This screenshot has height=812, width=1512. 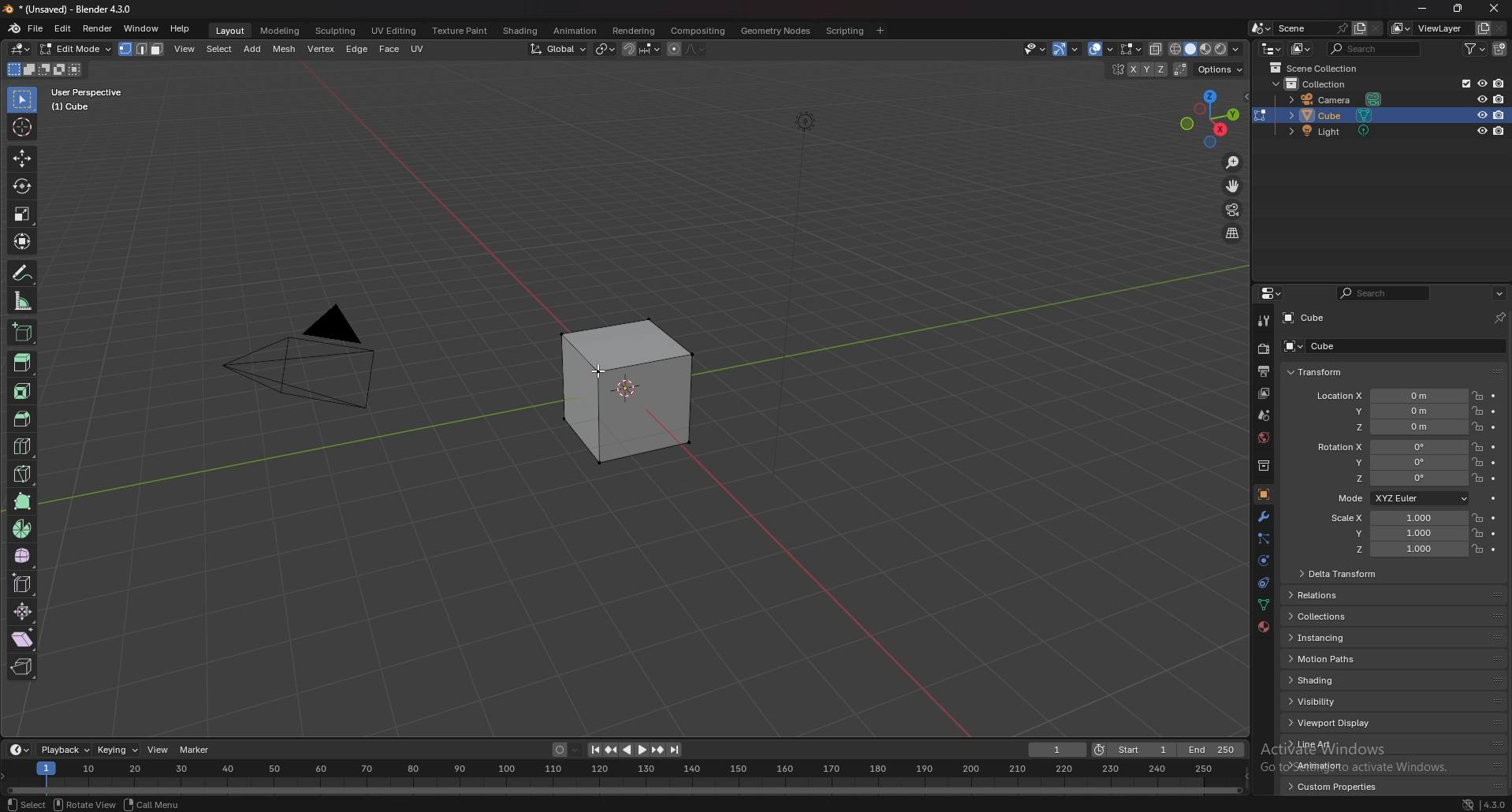 What do you see at coordinates (23, 214) in the screenshot?
I see `scale` at bounding box center [23, 214].